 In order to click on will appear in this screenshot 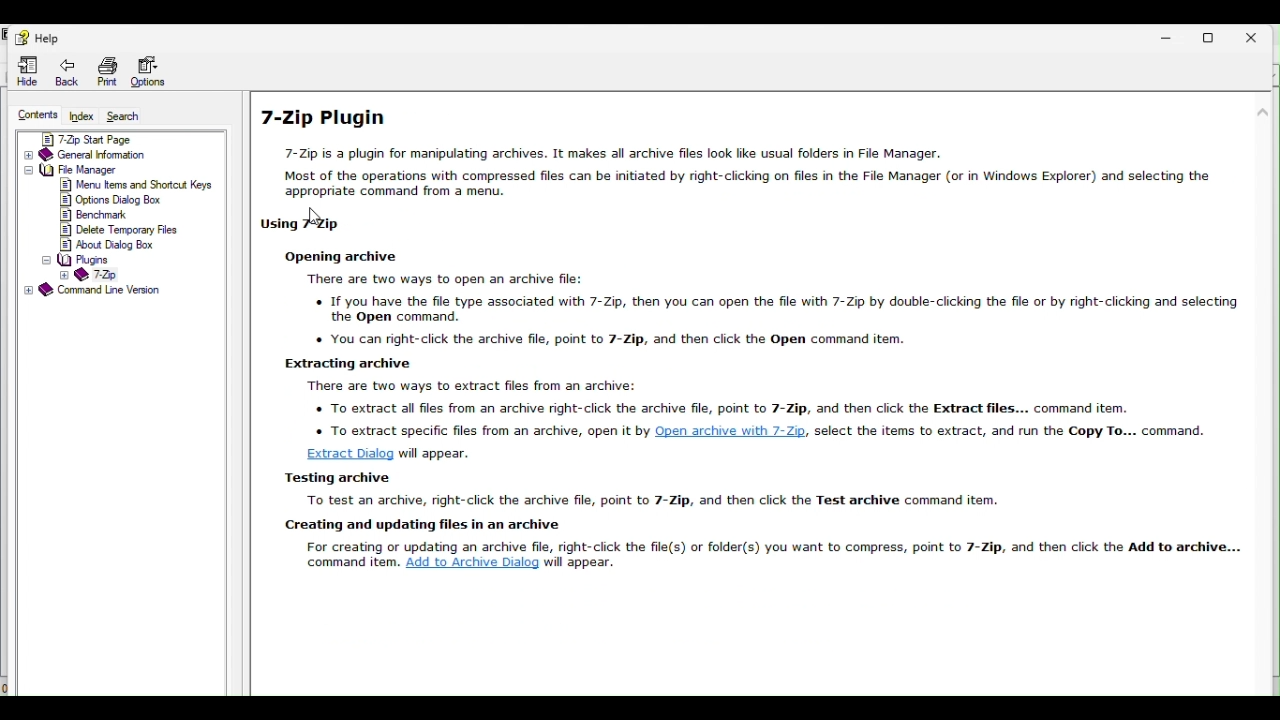, I will do `click(434, 454)`.